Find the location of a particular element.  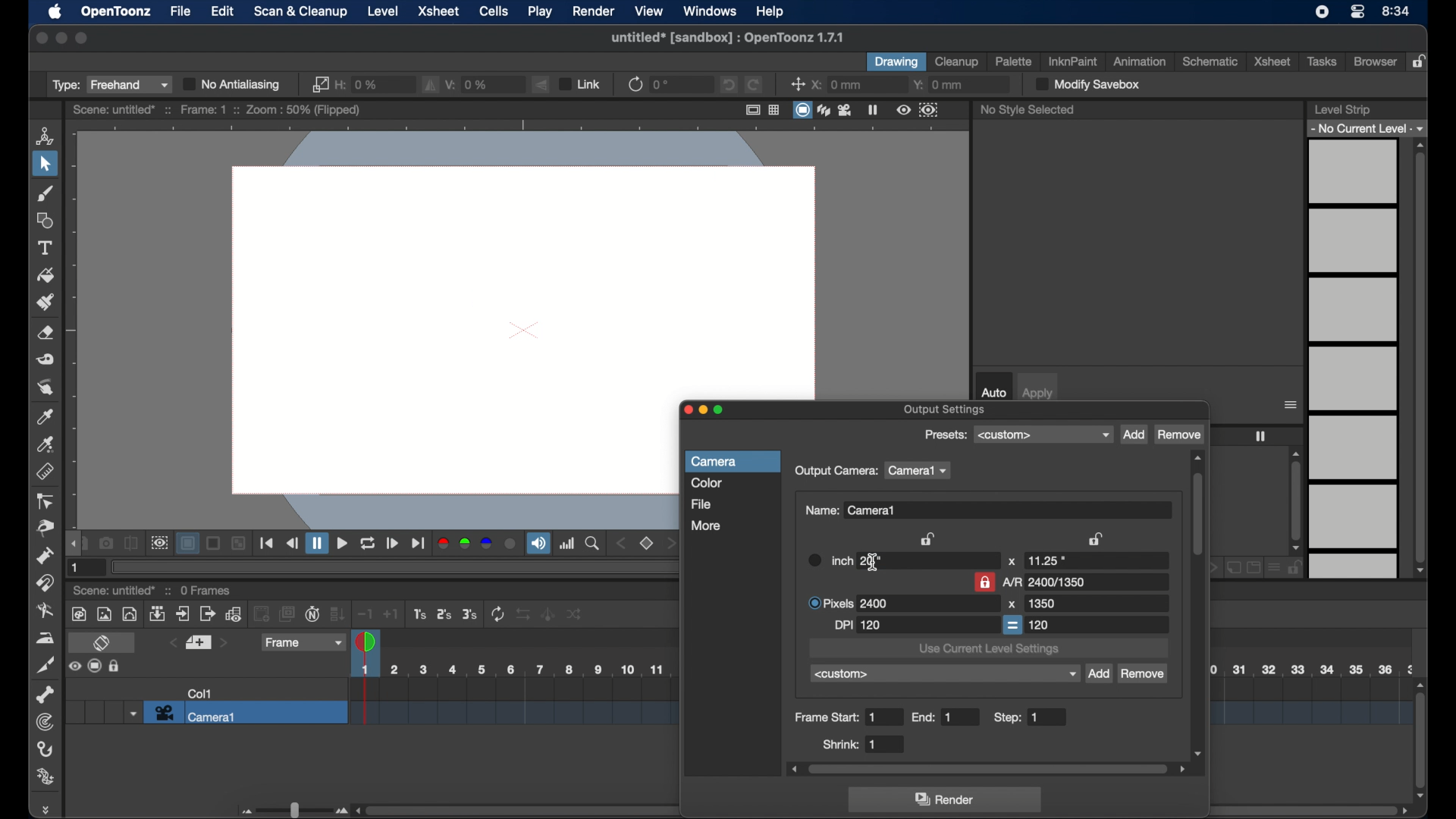

v is located at coordinates (469, 83).